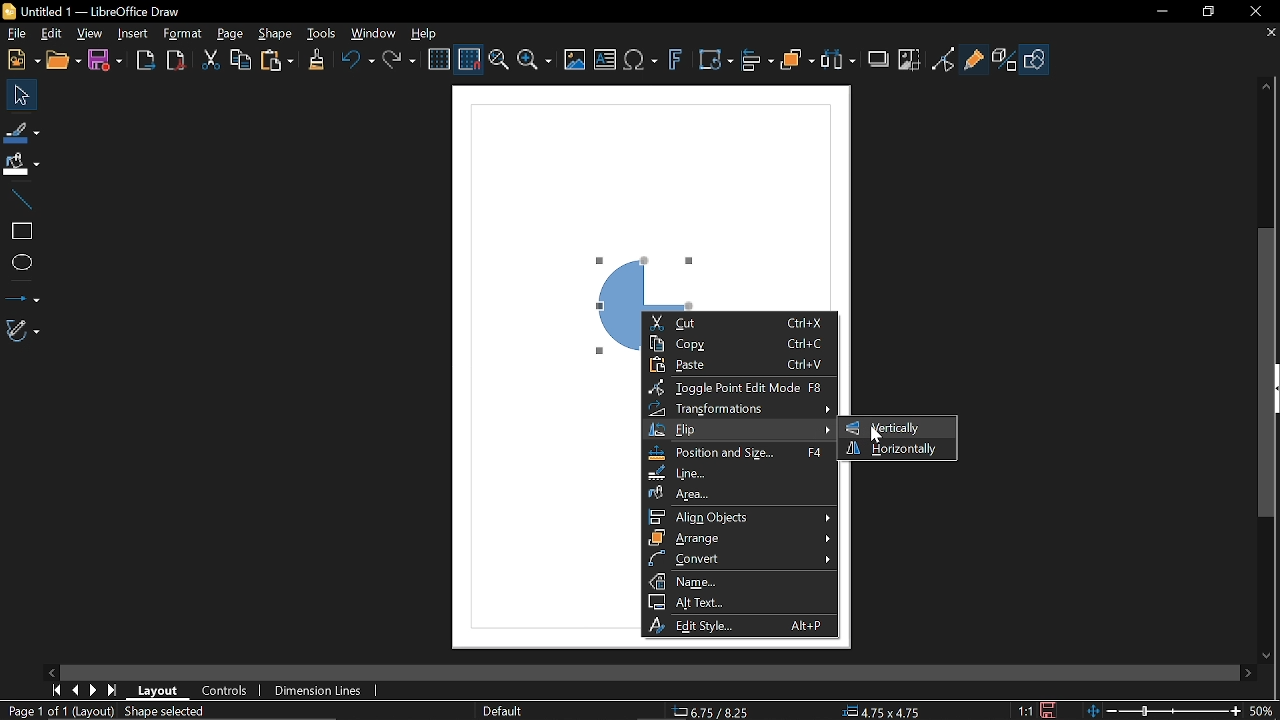 Image resolution: width=1280 pixels, height=720 pixels. What do you see at coordinates (876, 432) in the screenshot?
I see `Cursor` at bounding box center [876, 432].